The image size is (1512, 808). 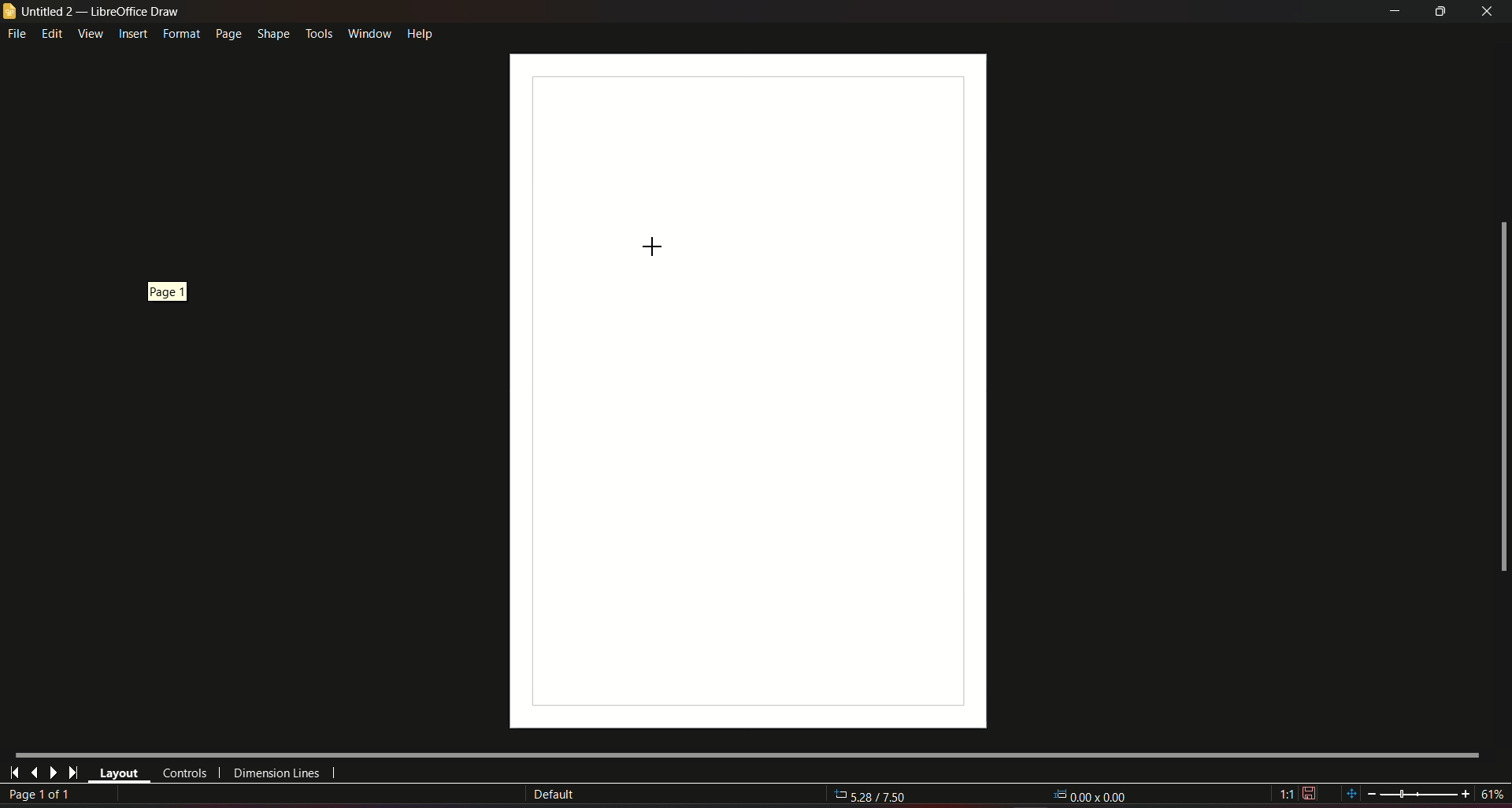 What do you see at coordinates (1440, 12) in the screenshot?
I see `minimize/maximize` at bounding box center [1440, 12].